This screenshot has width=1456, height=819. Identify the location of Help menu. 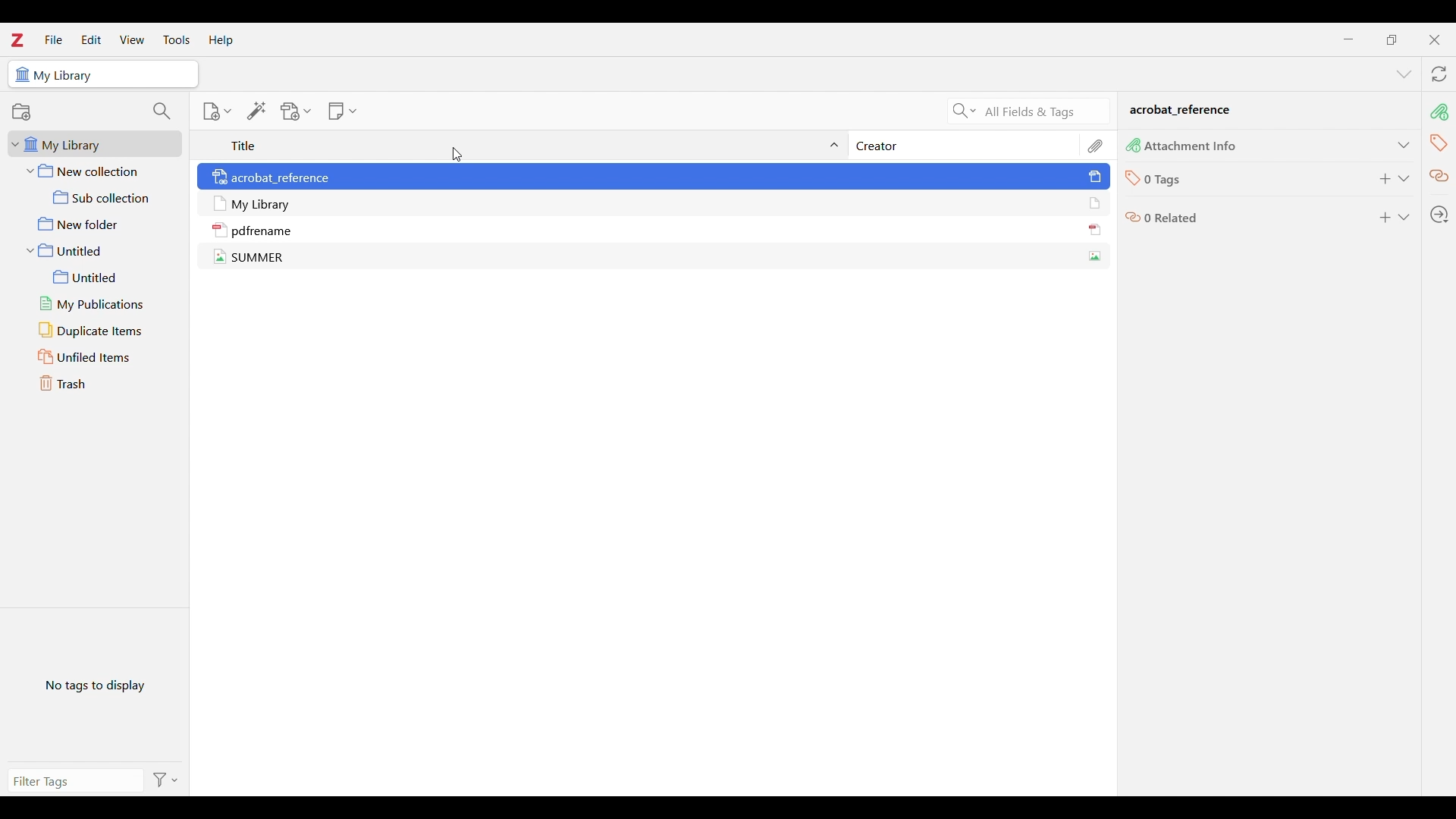
(221, 39).